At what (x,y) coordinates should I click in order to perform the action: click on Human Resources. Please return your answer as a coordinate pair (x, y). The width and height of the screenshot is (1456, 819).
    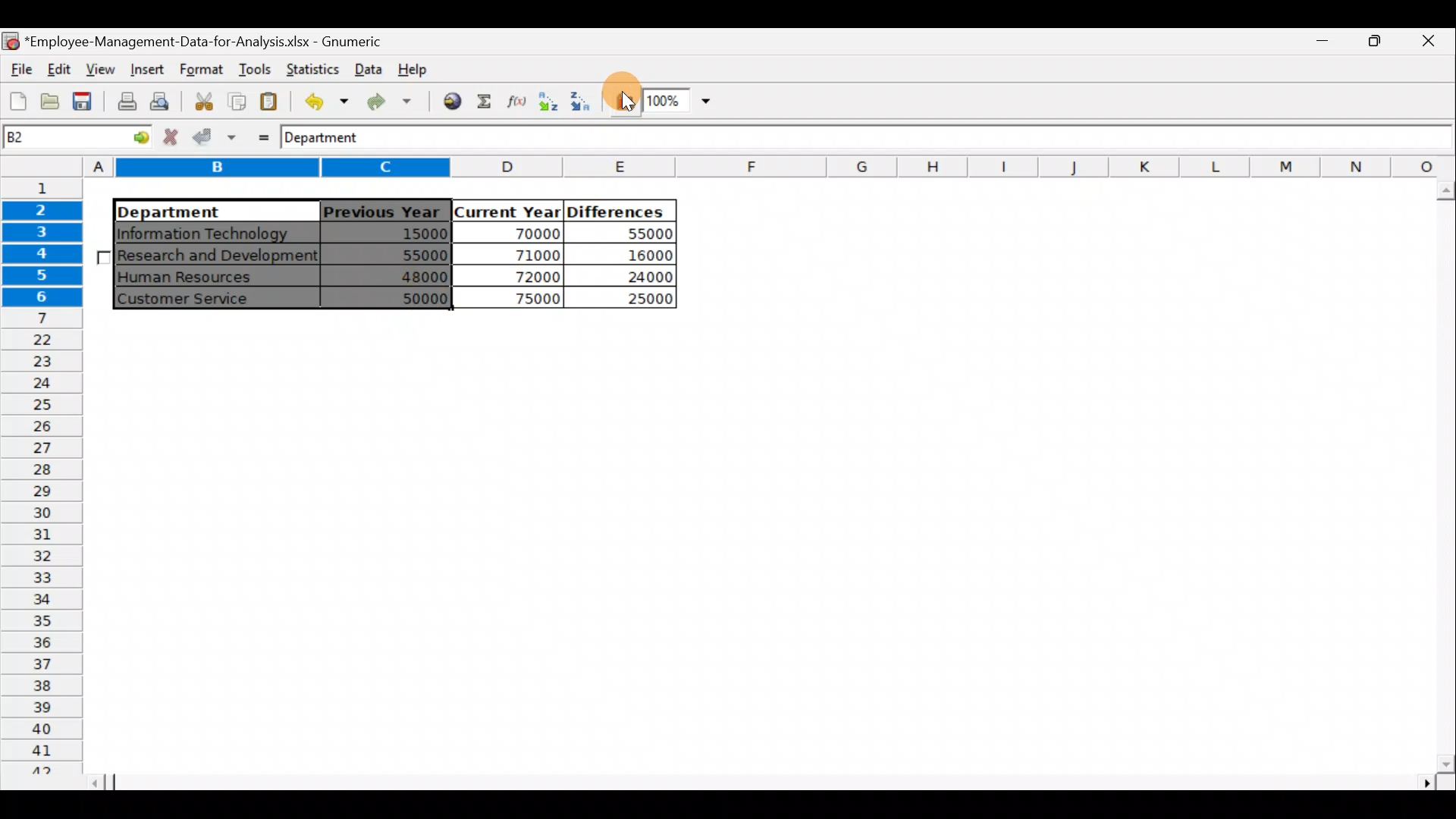
    Looking at the image, I should click on (196, 278).